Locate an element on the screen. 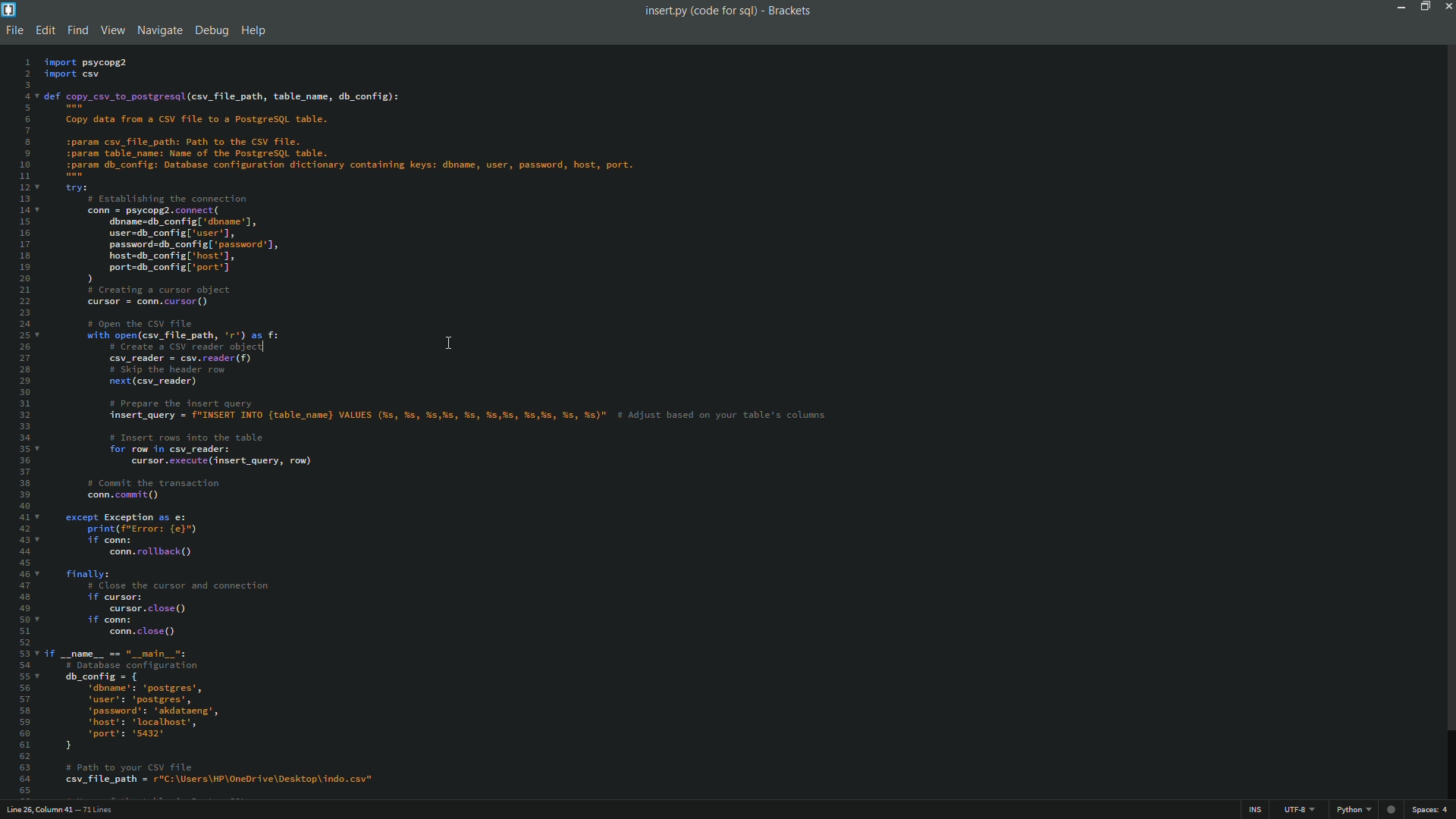  minimize is located at coordinates (1401, 6).